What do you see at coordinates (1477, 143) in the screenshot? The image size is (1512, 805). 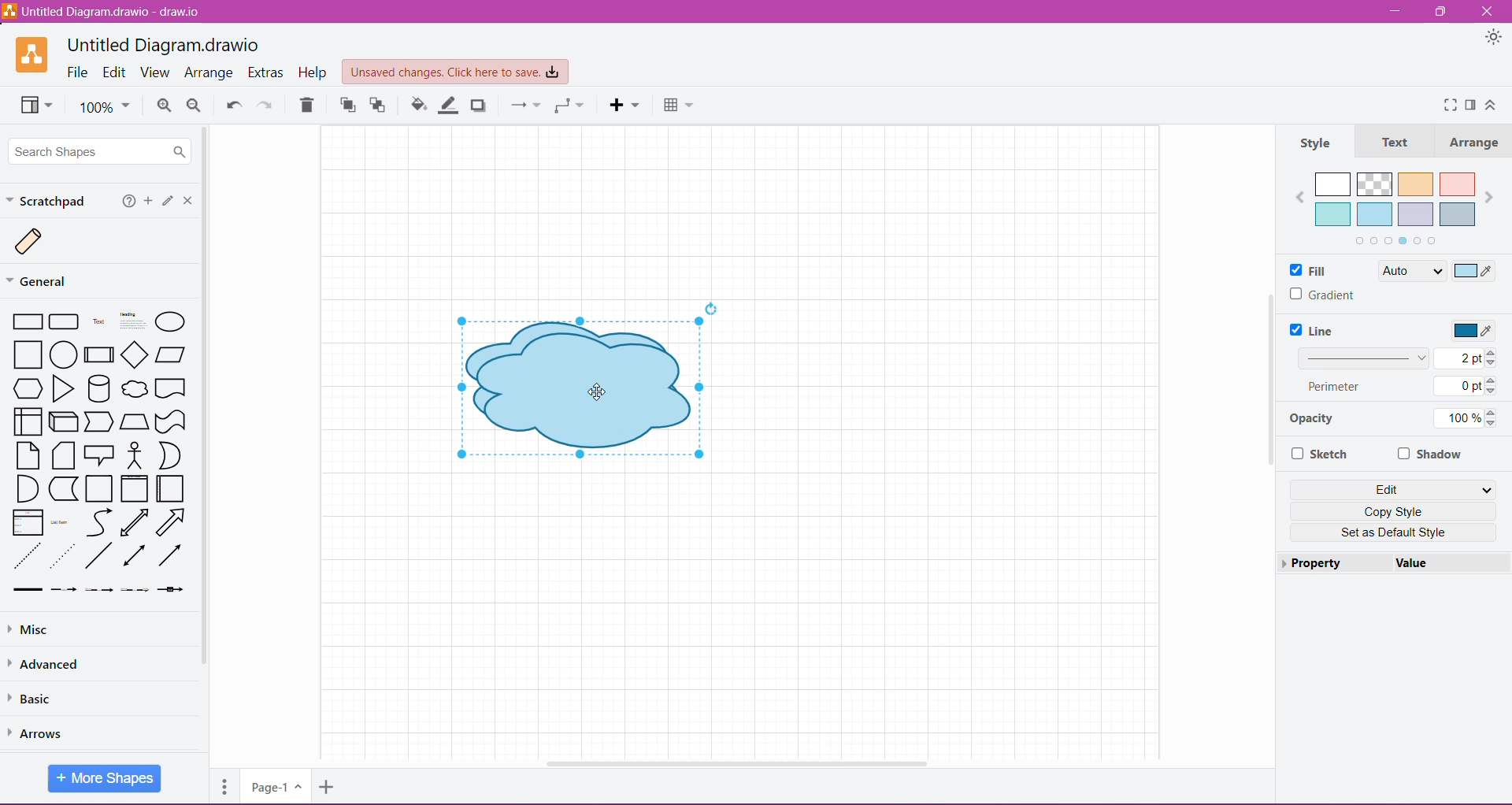 I see `Arrange` at bounding box center [1477, 143].